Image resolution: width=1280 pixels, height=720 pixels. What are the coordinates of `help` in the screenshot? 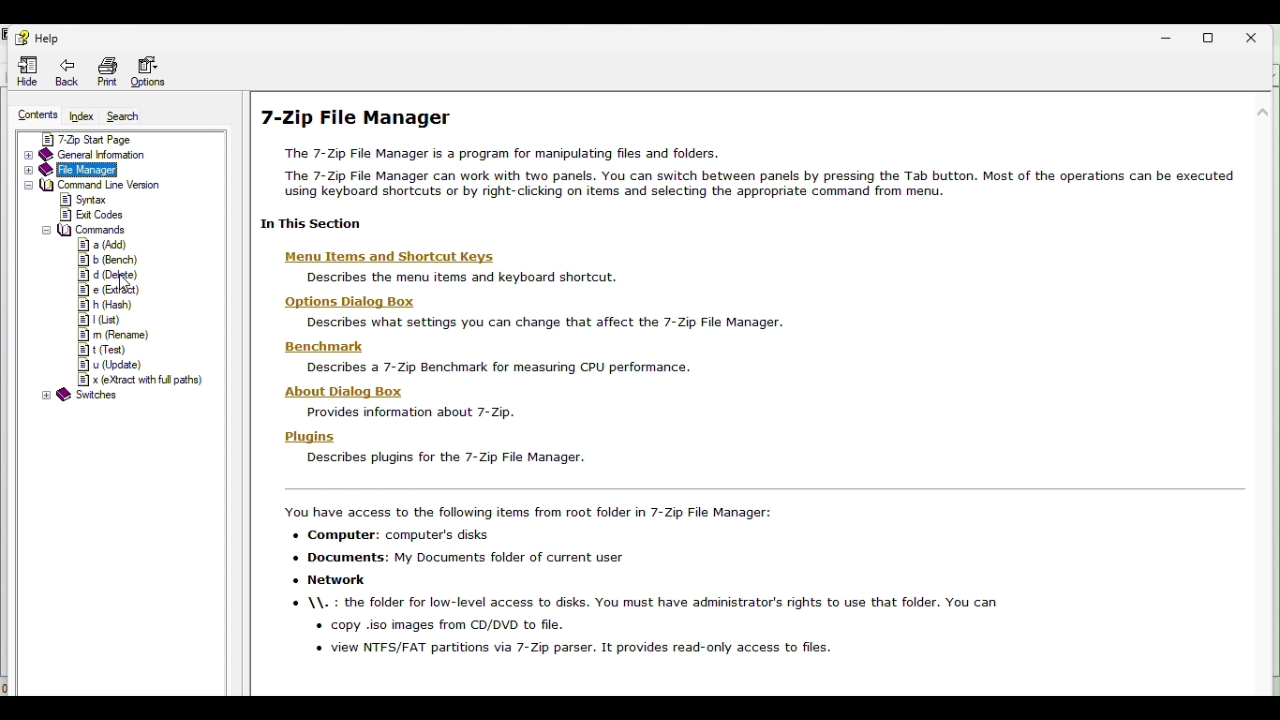 It's located at (38, 38).